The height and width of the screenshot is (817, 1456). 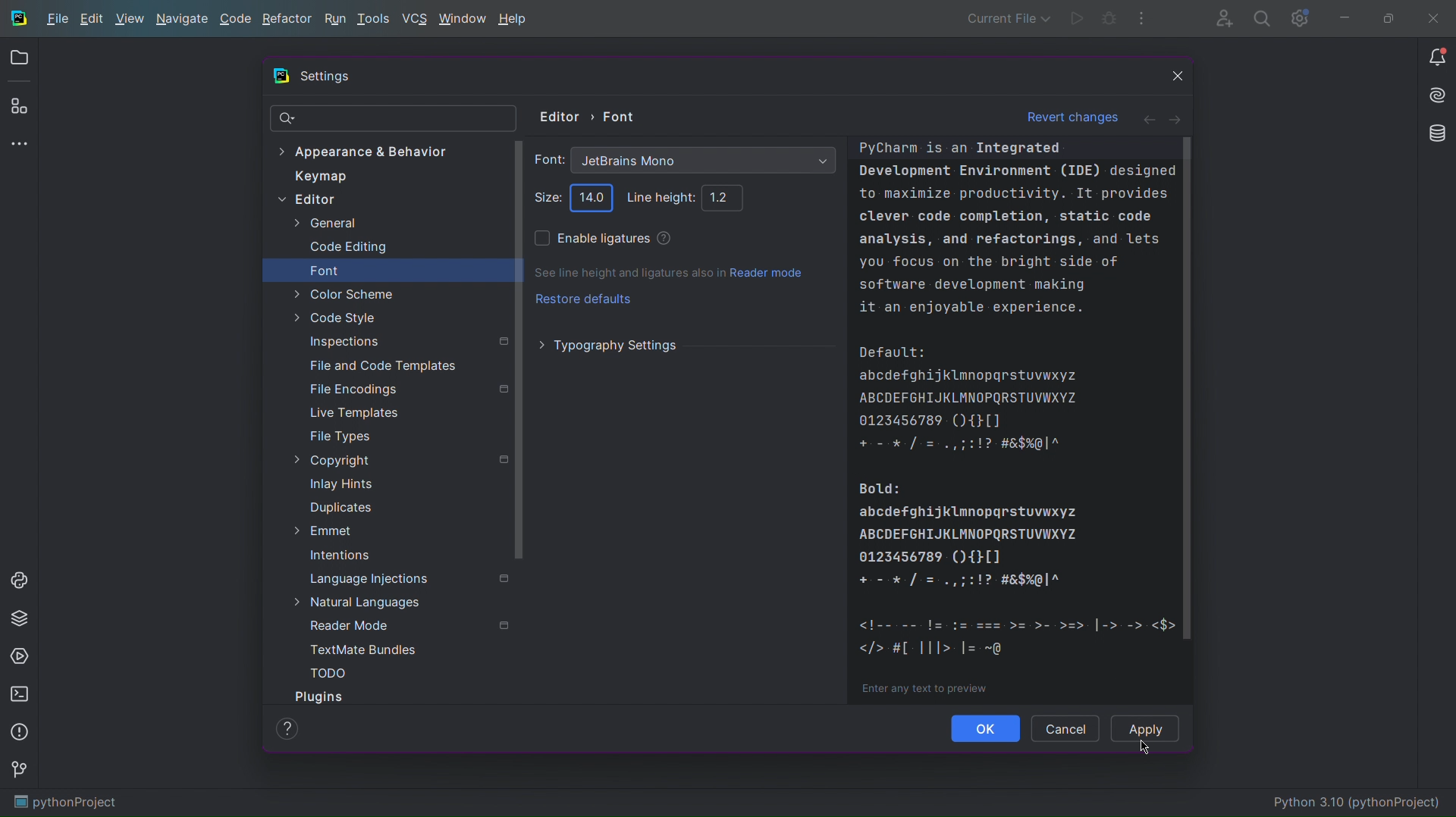 I want to click on File, so click(x=56, y=20).